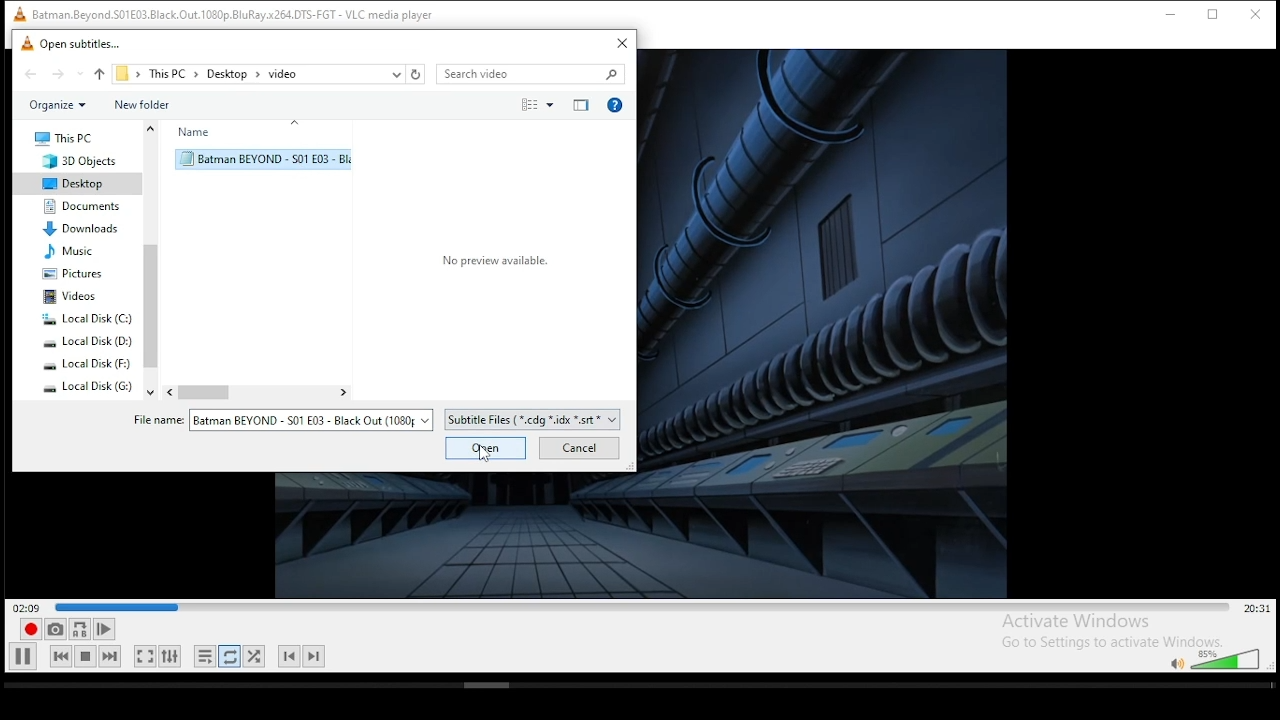 This screenshot has height=720, width=1280. I want to click on remaining/total time, so click(1256, 608).